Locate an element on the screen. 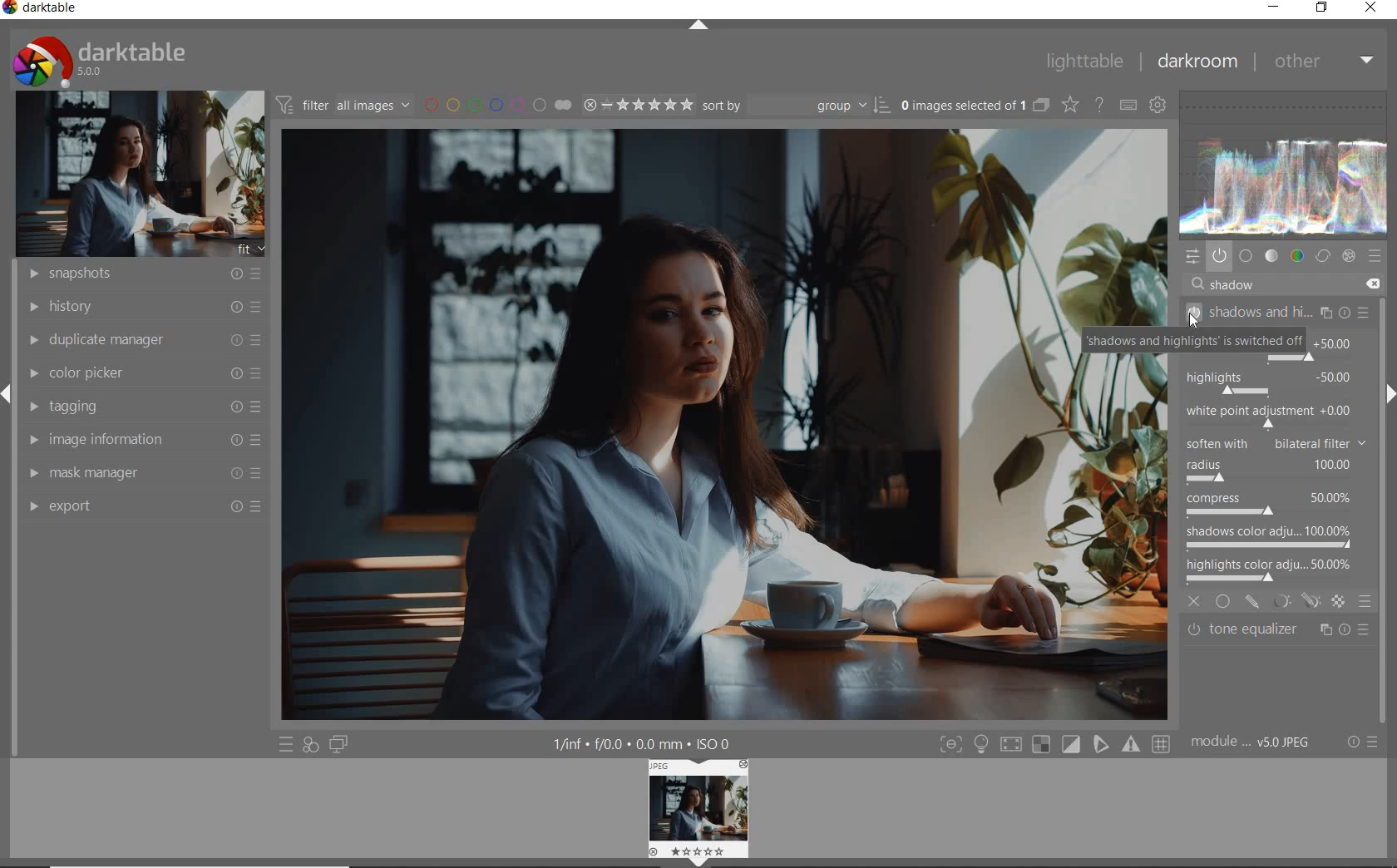 The image size is (1397, 868). reset or presets & preferences  is located at coordinates (1361, 742).